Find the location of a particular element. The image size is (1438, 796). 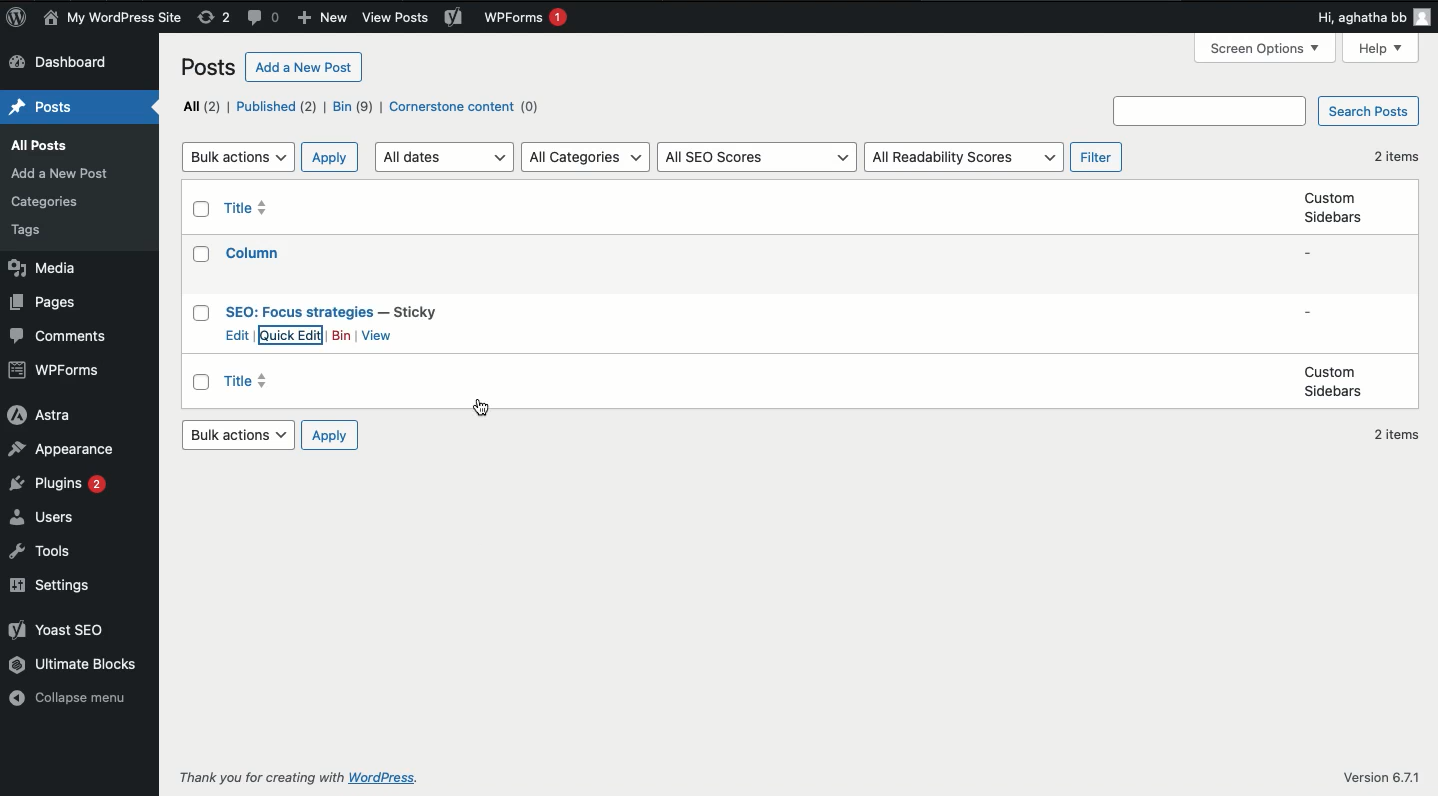

Users is located at coordinates (47, 517).